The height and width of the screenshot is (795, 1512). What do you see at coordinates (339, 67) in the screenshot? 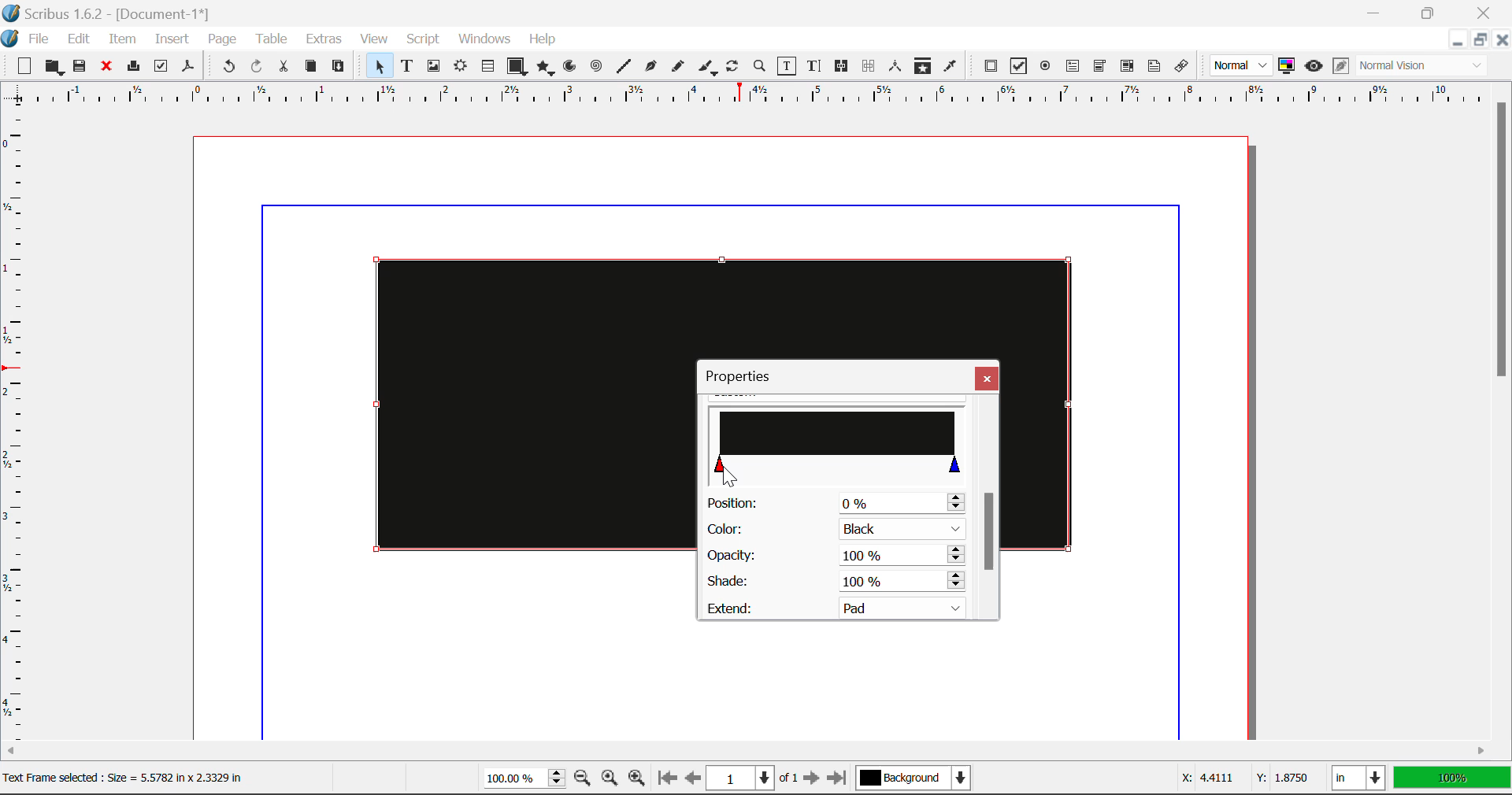
I see `Paste` at bounding box center [339, 67].